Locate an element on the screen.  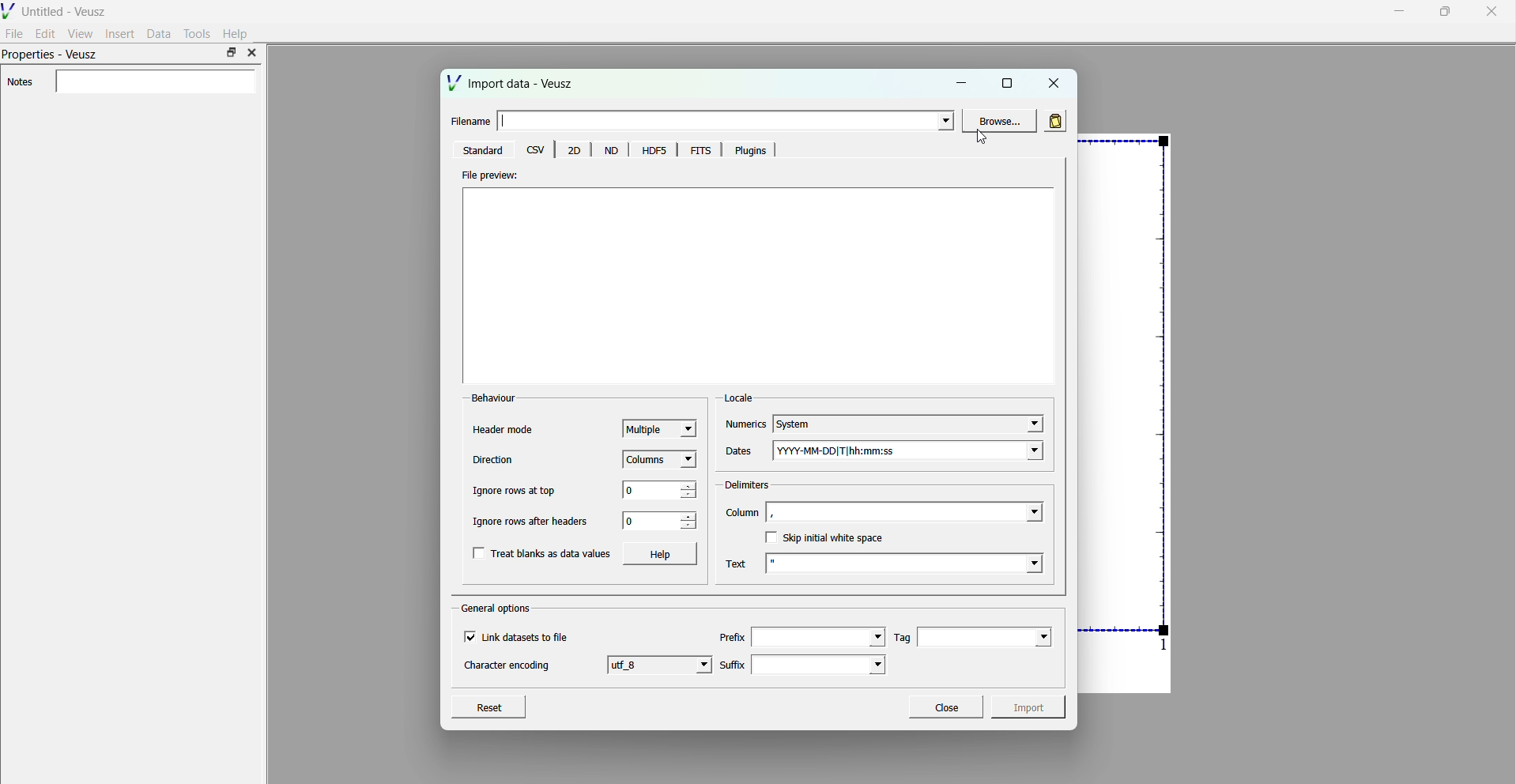
decrease is located at coordinates (688, 527).